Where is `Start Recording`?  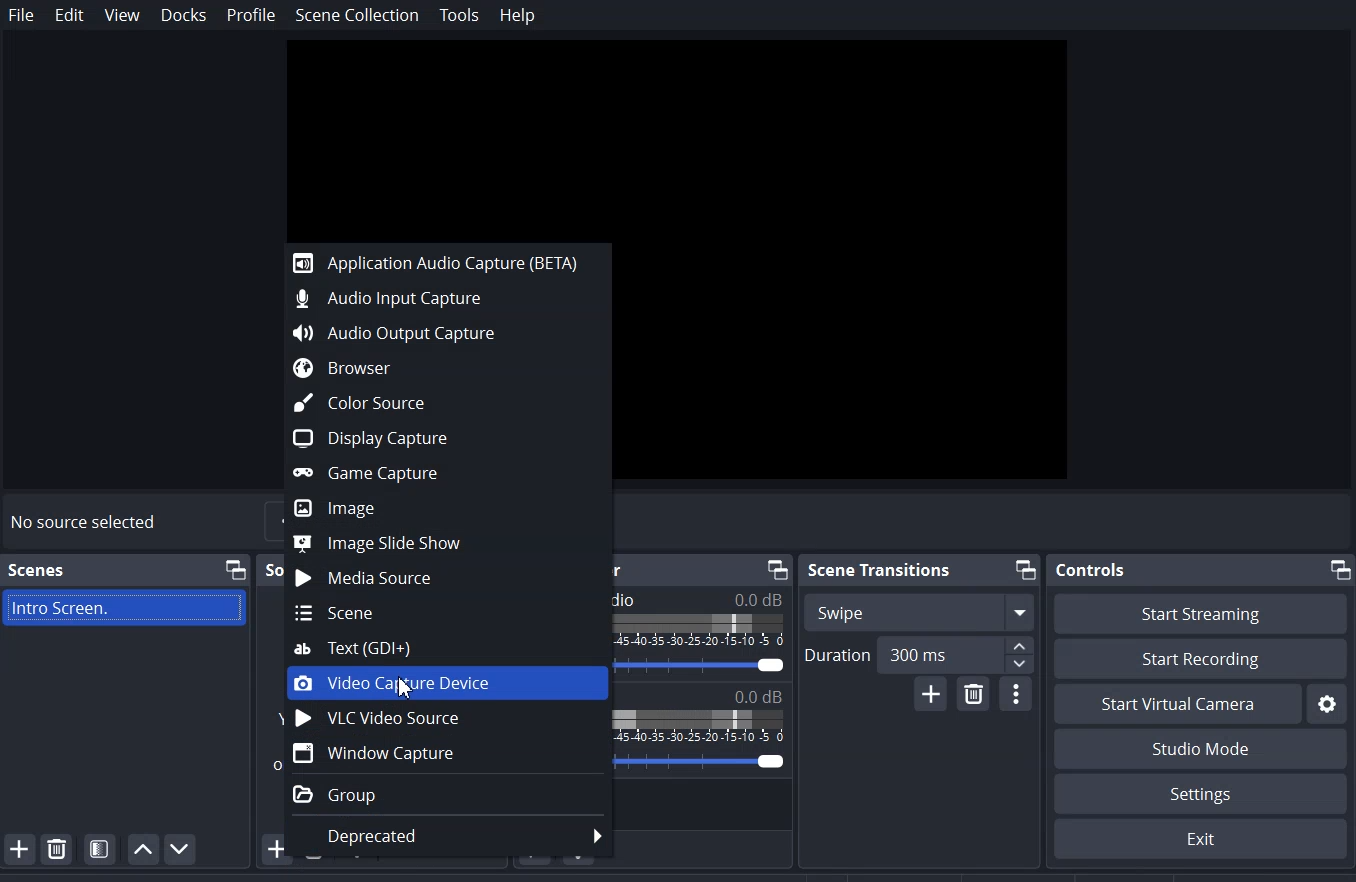 Start Recording is located at coordinates (1201, 660).